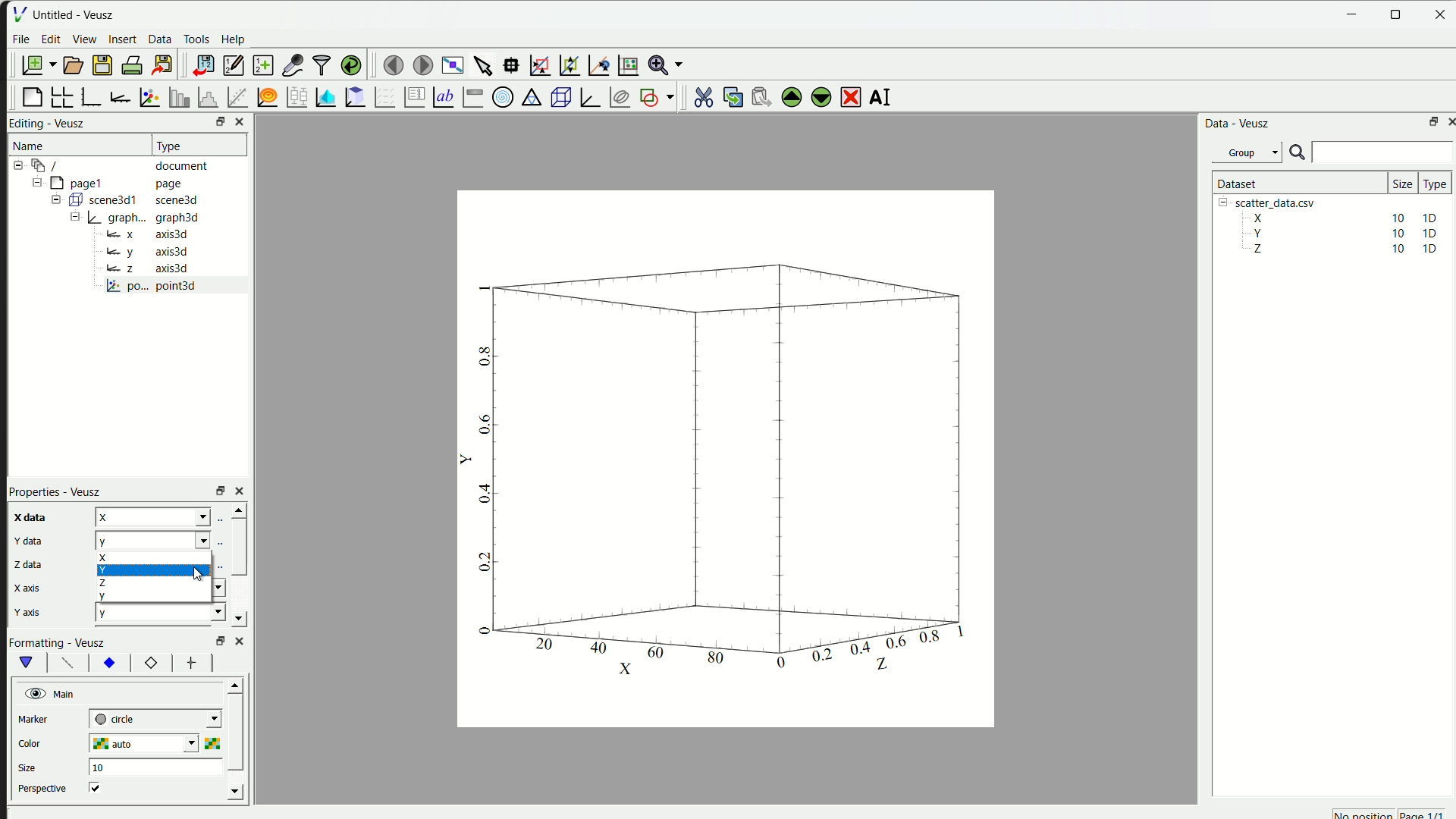  Describe the element at coordinates (22, 40) in the screenshot. I see `File` at that location.